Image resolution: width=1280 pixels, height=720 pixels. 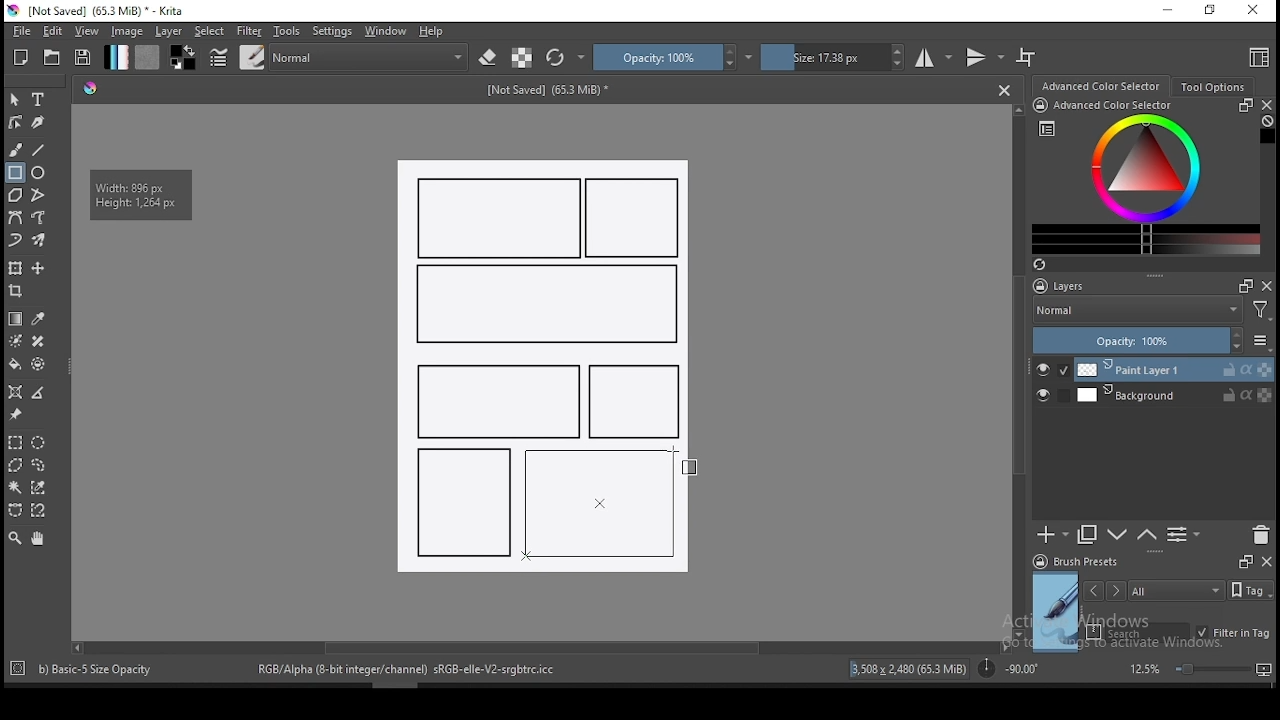 What do you see at coordinates (833, 57) in the screenshot?
I see `size` at bounding box center [833, 57].